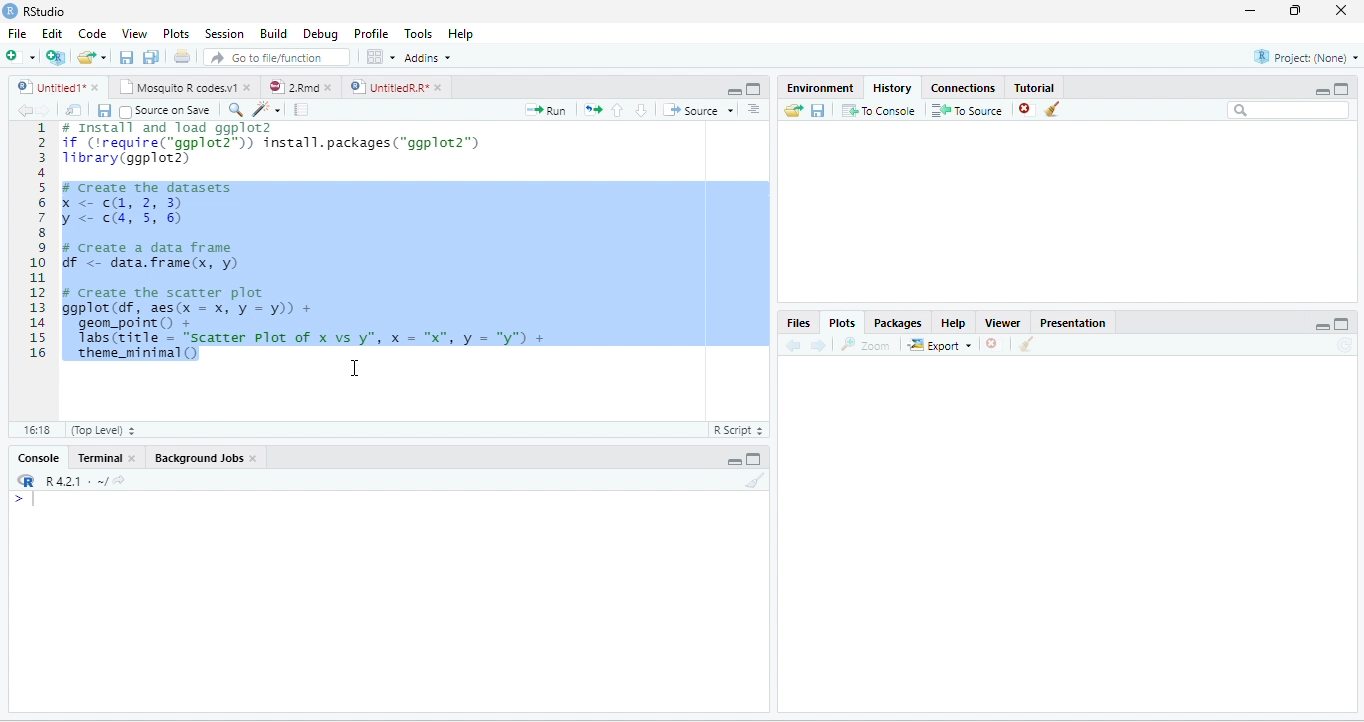  I want to click on R Script, so click(740, 430).